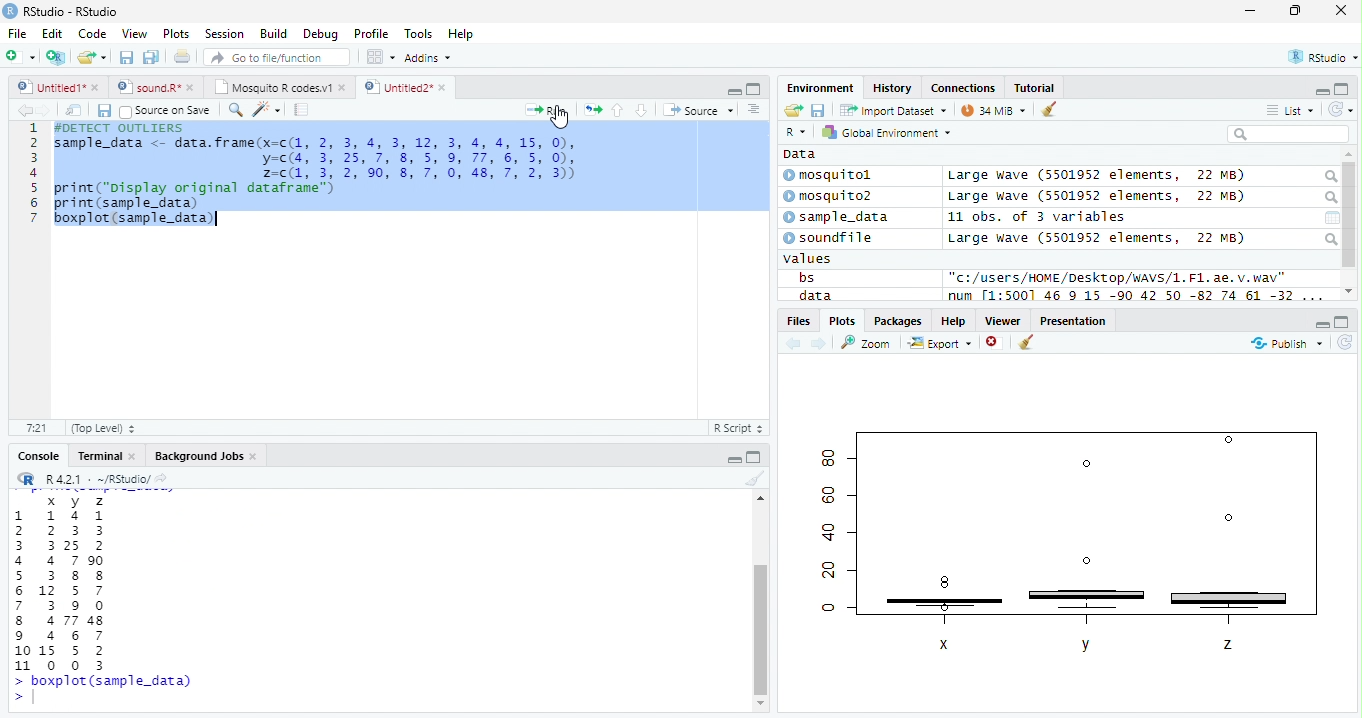 This screenshot has height=718, width=1362. Describe the element at coordinates (954, 320) in the screenshot. I see `Help` at that location.